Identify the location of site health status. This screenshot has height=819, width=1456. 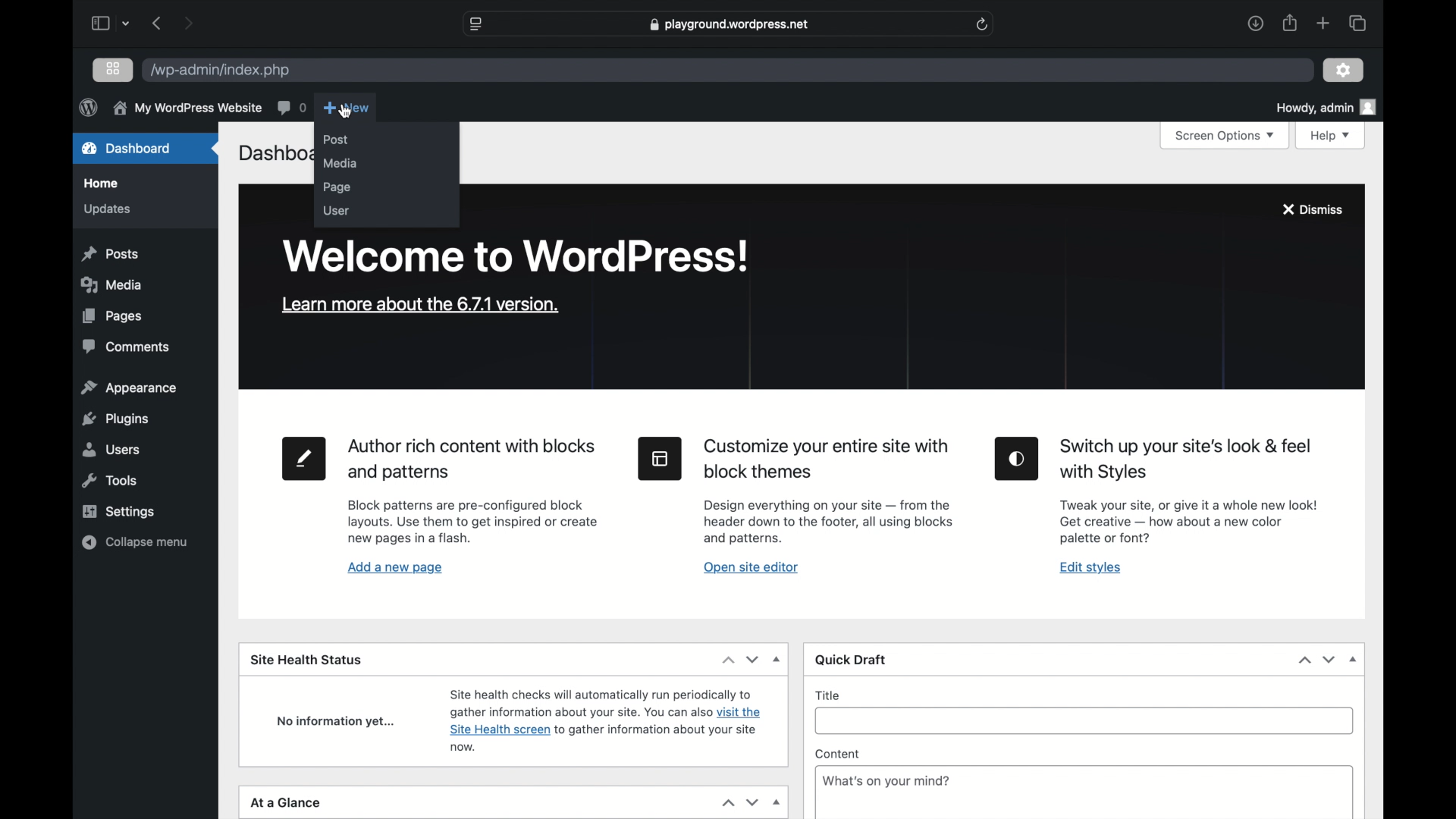
(306, 658).